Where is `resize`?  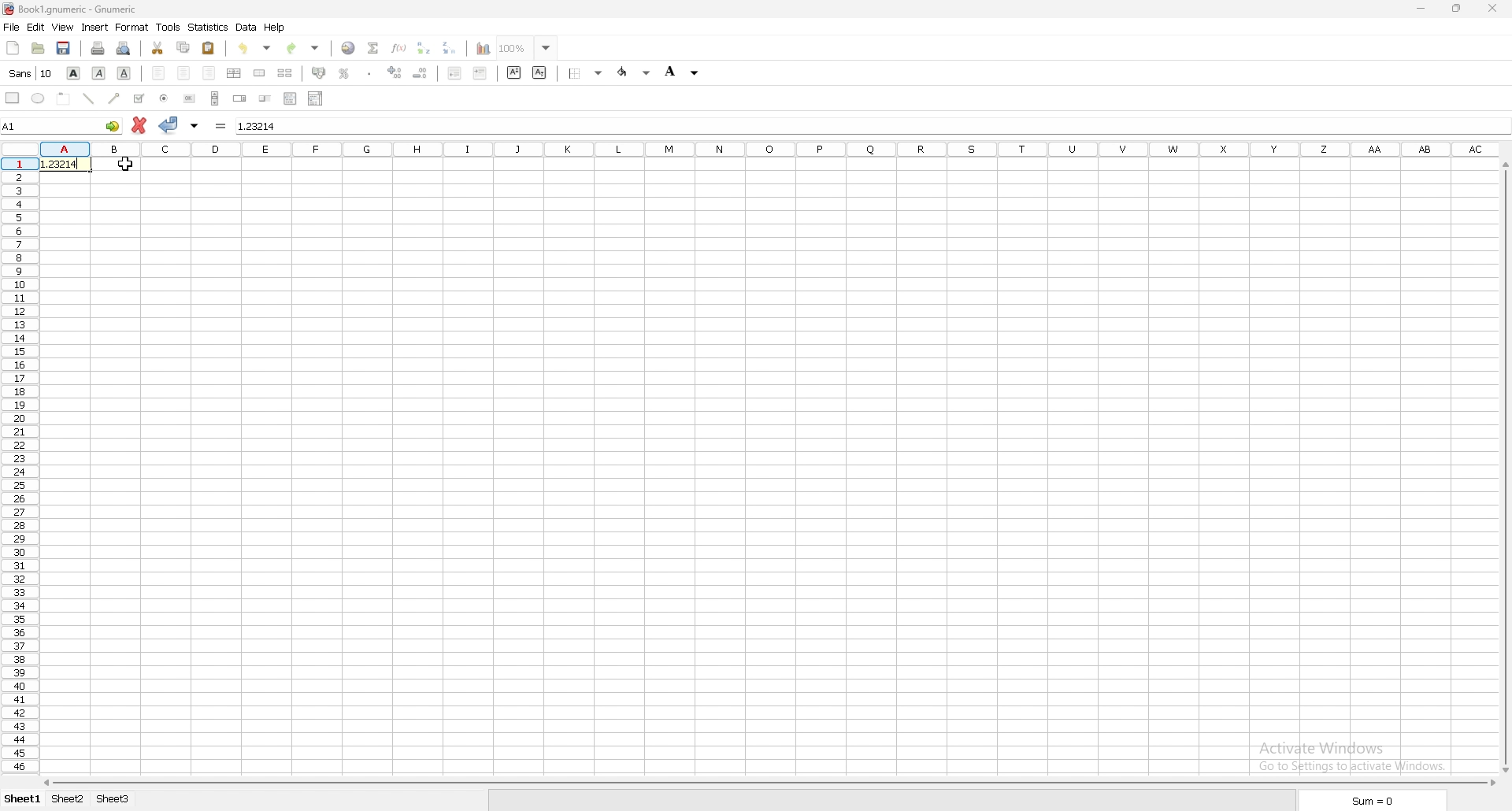 resize is located at coordinates (1458, 7).